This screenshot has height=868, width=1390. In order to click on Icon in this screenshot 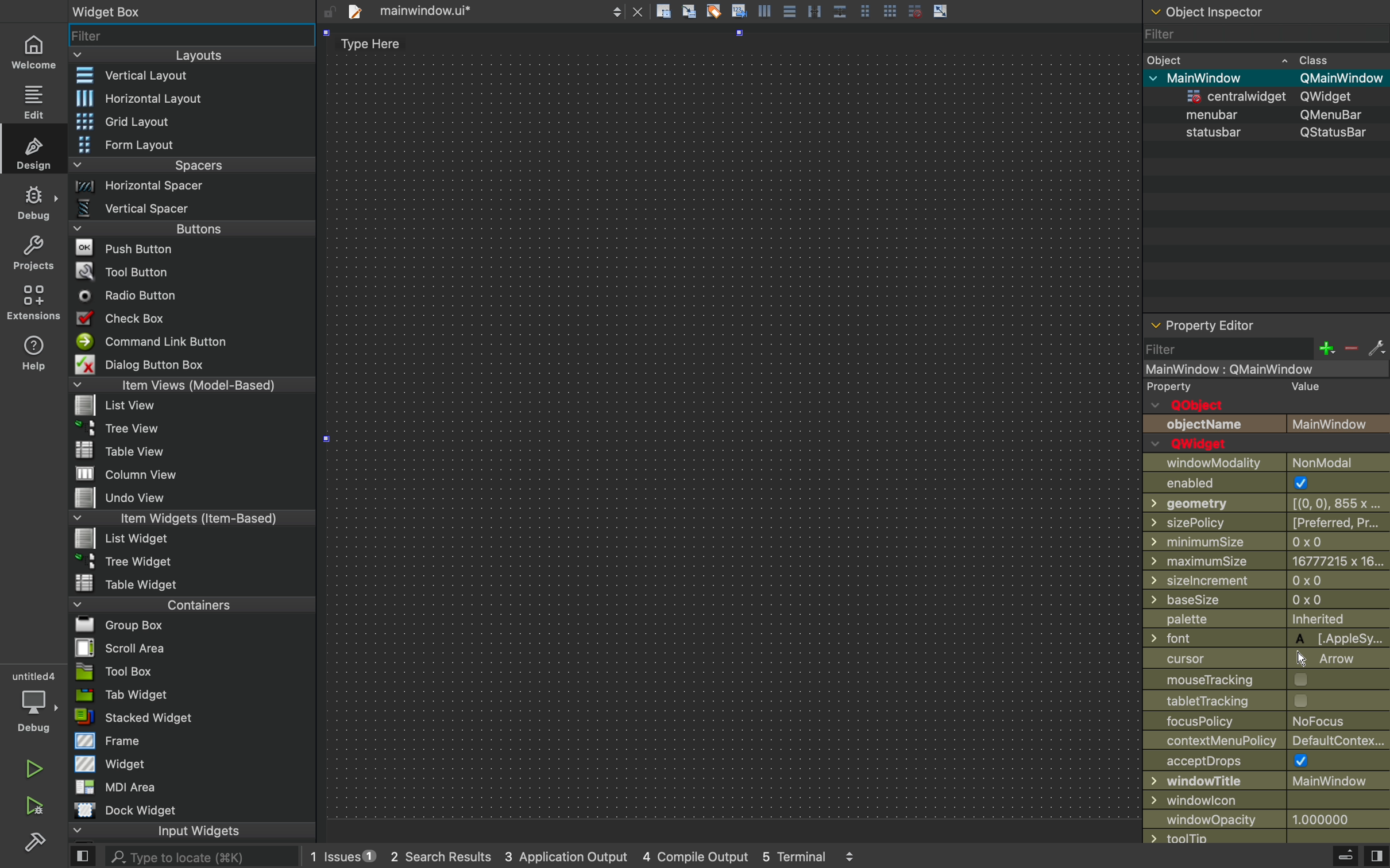, I will do `click(739, 10)`.